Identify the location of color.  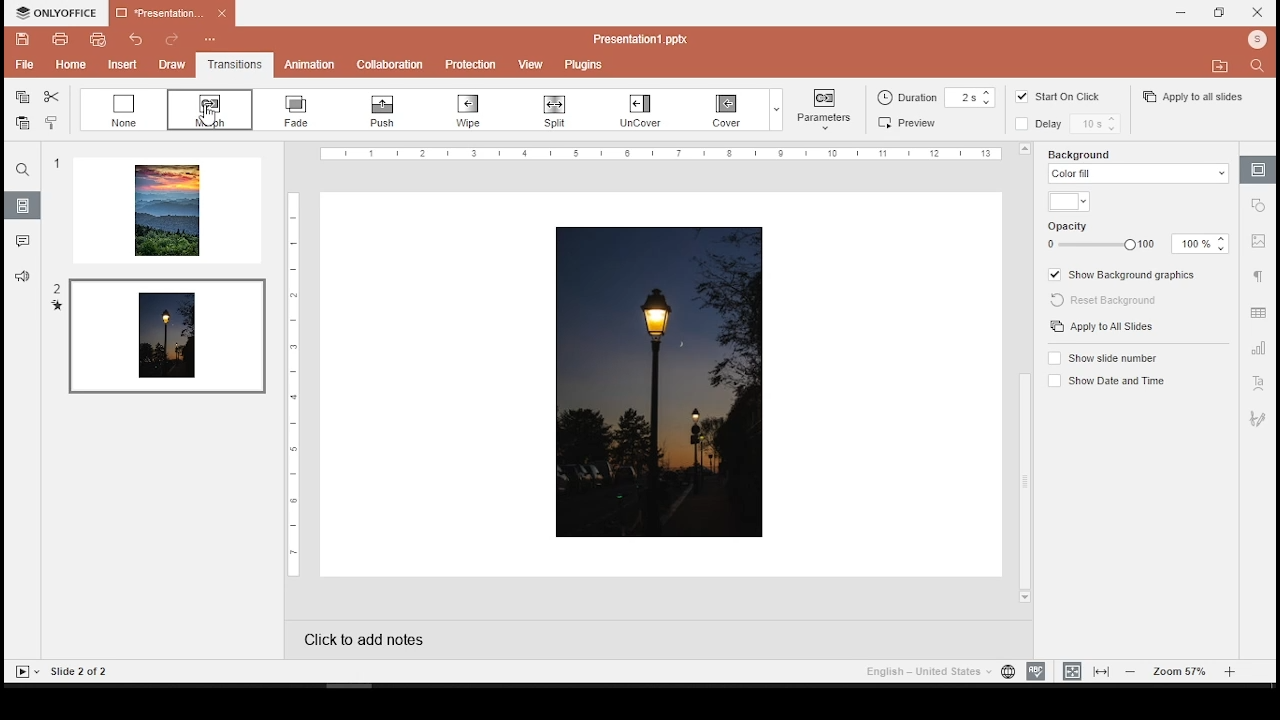
(1068, 201).